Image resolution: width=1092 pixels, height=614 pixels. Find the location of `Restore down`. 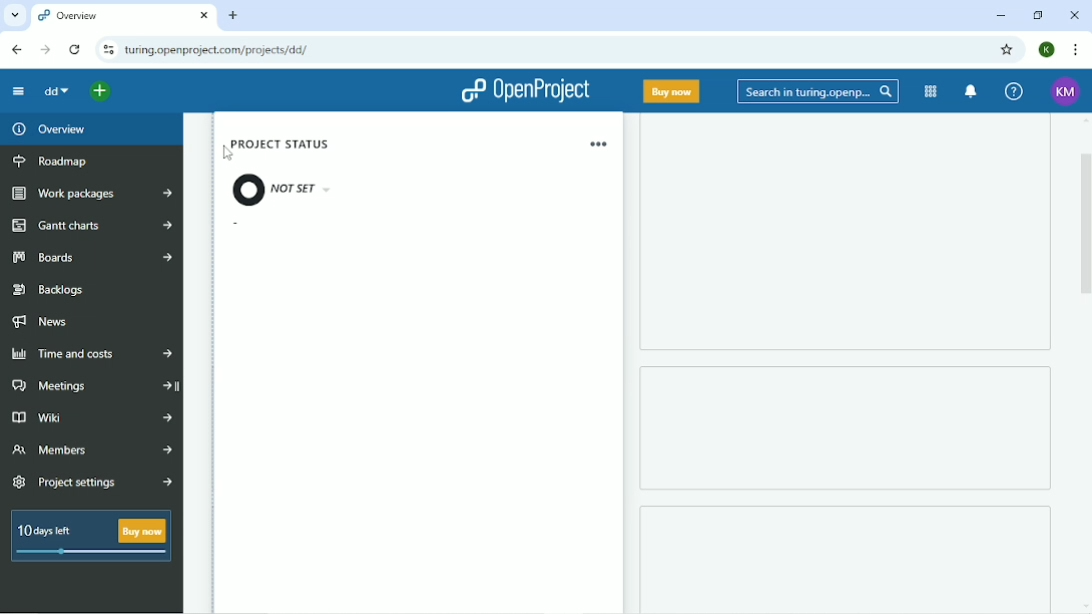

Restore down is located at coordinates (1037, 15).